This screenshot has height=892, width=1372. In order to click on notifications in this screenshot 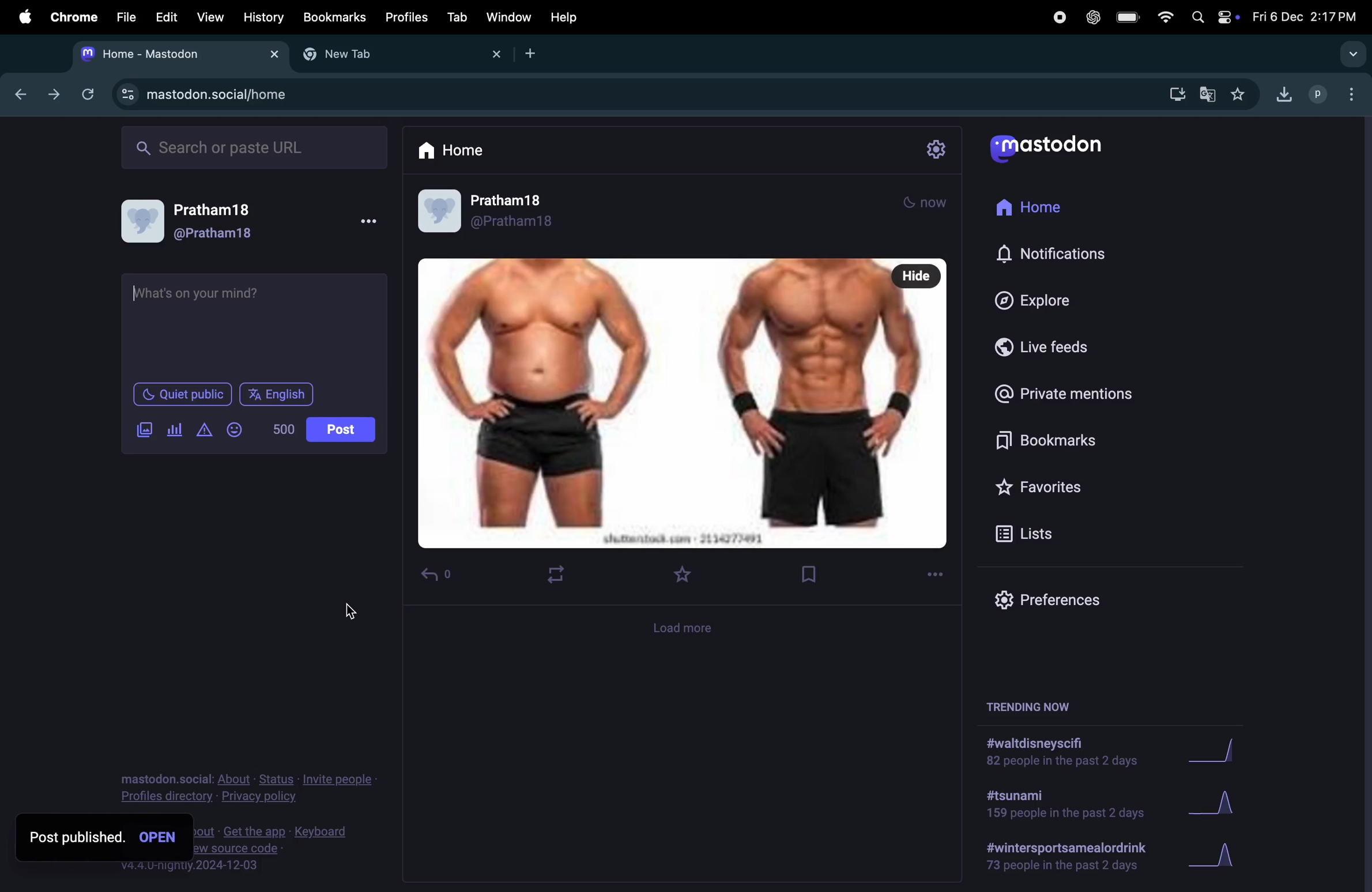, I will do `click(1056, 254)`.